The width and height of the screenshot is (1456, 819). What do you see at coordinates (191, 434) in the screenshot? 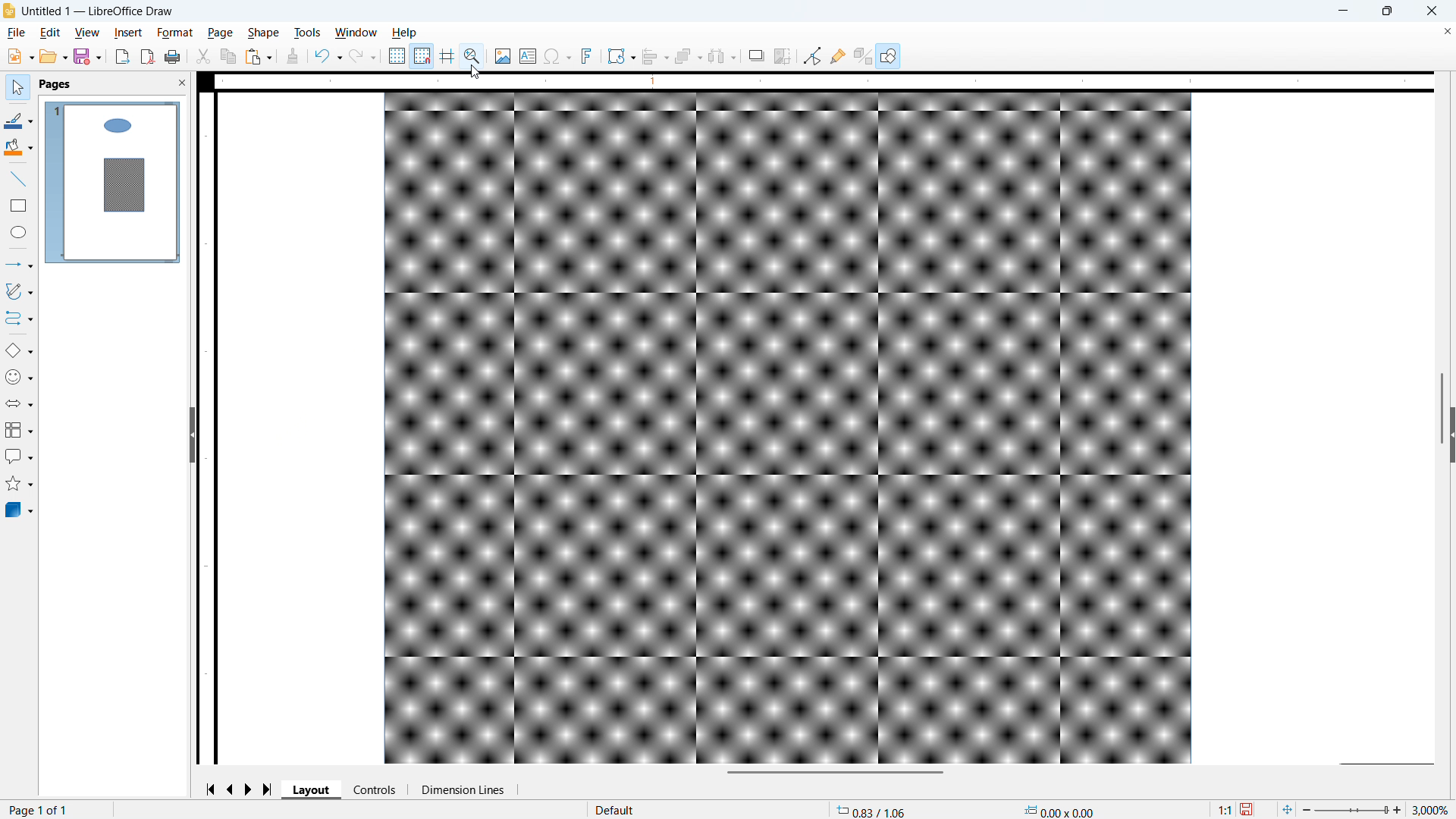
I see `Hide panel ` at bounding box center [191, 434].